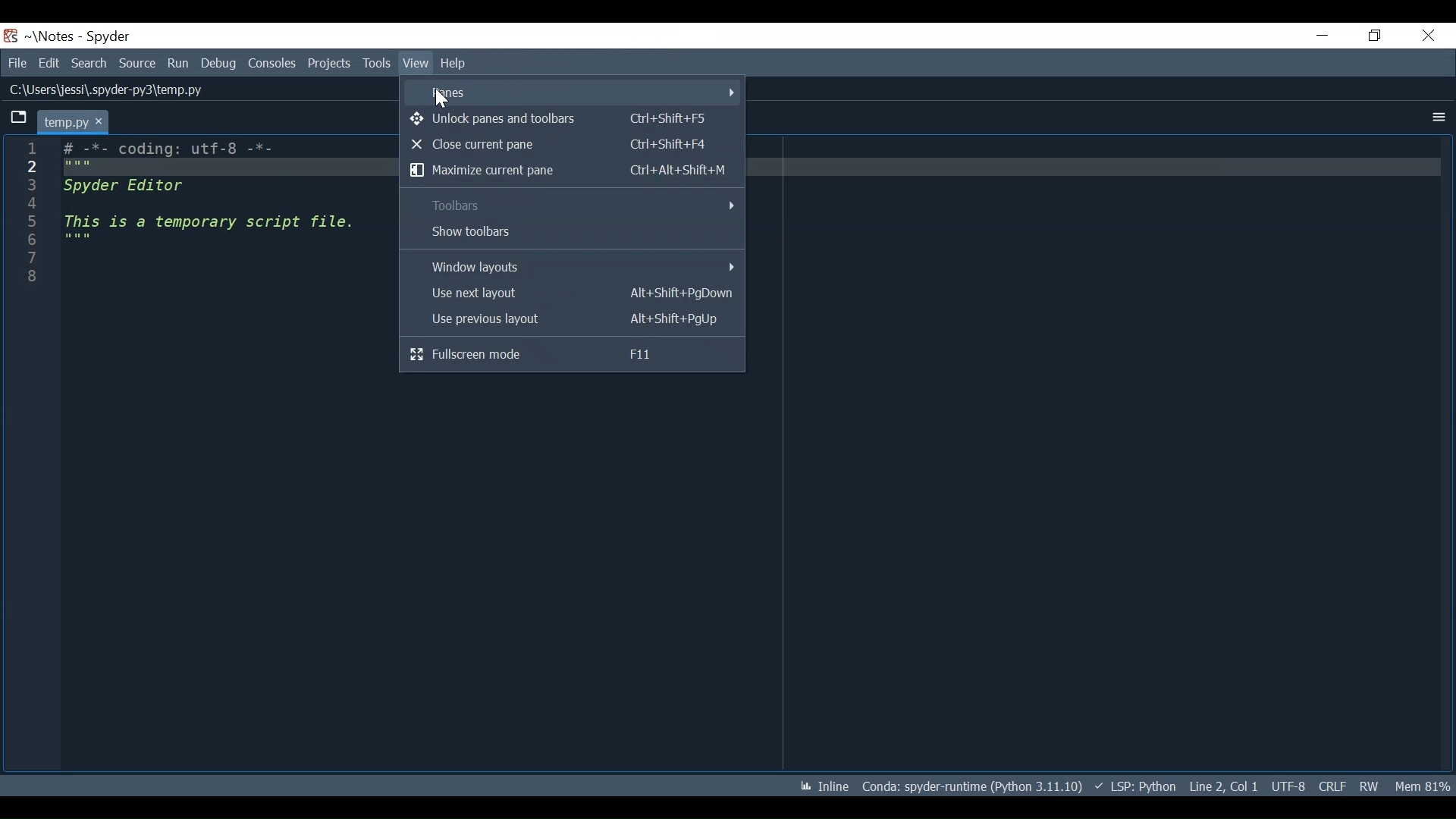 This screenshot has width=1456, height=819. I want to click on Source, so click(138, 64).